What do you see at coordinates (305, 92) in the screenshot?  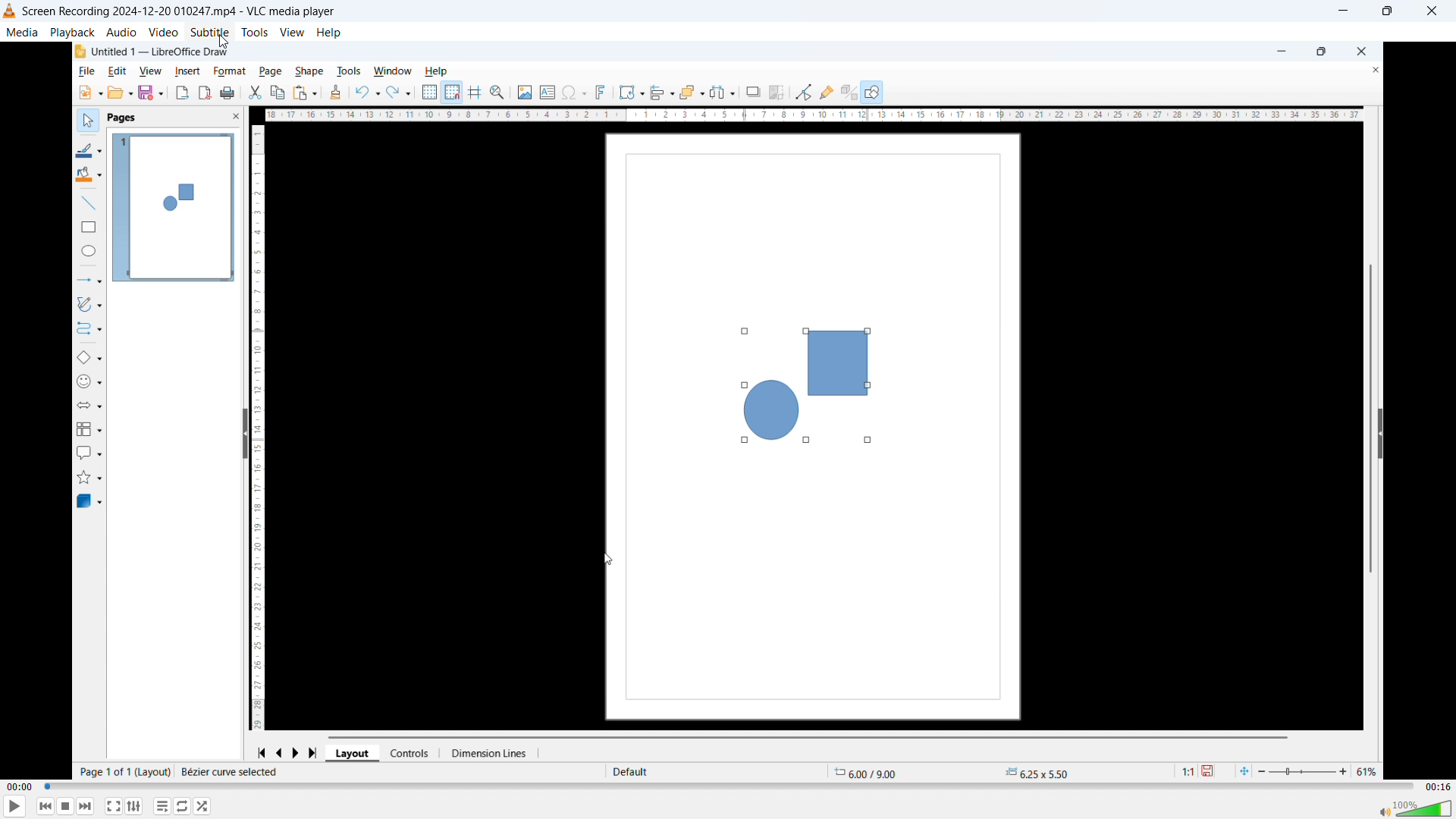 I see `paste` at bounding box center [305, 92].